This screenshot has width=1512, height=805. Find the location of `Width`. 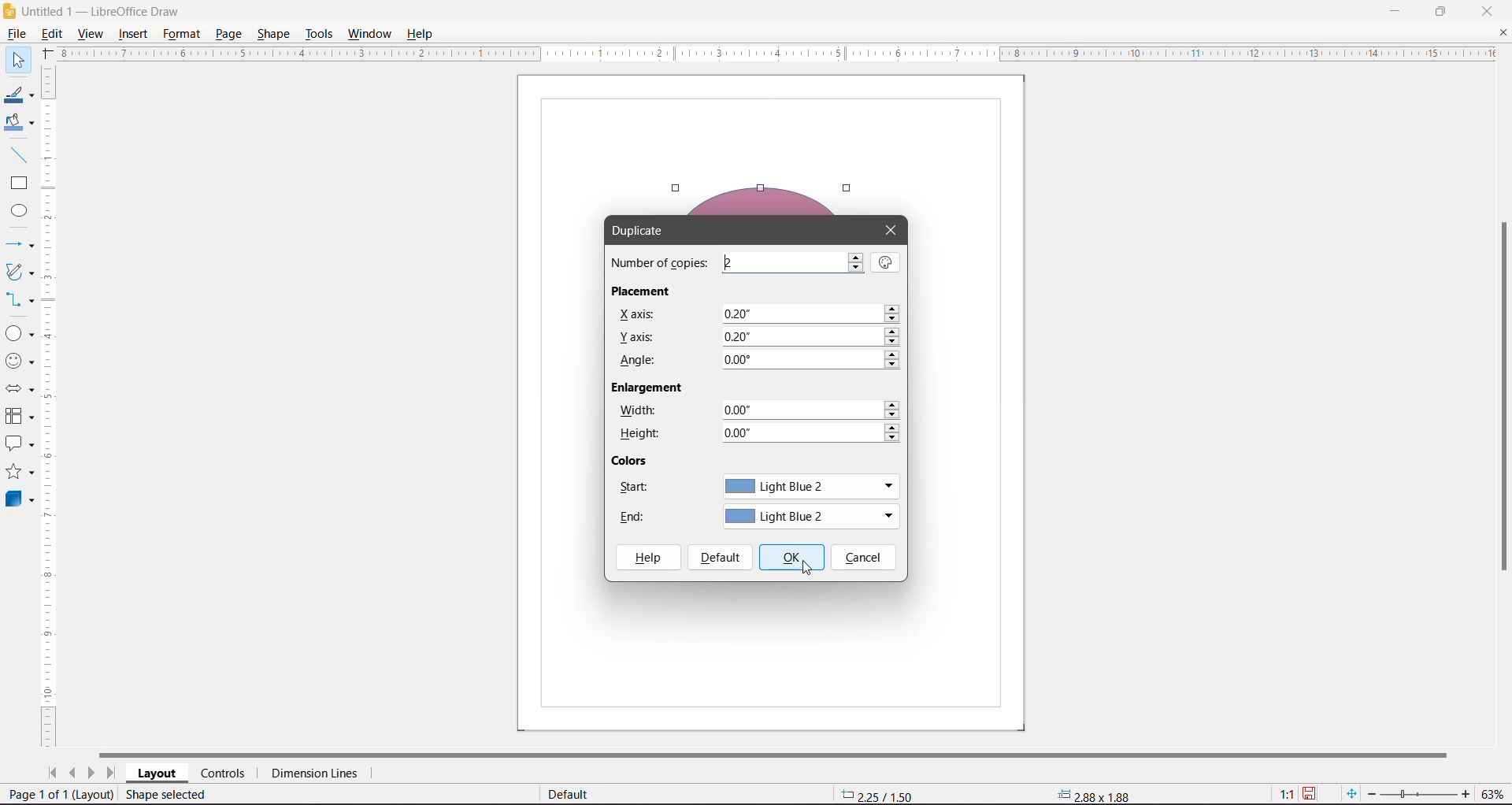

Width is located at coordinates (636, 410).